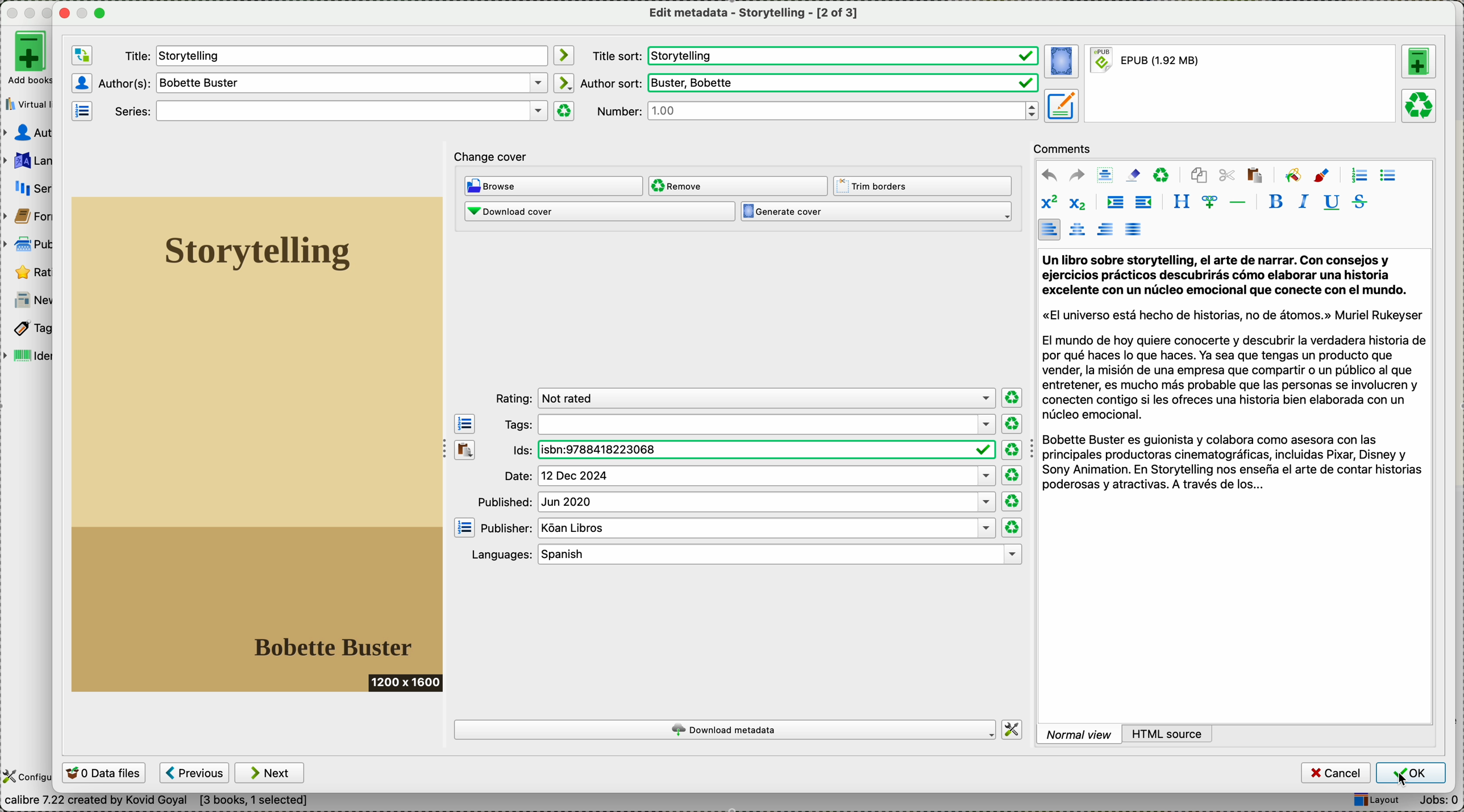 The width and height of the screenshot is (1464, 812). Describe the element at coordinates (1172, 732) in the screenshot. I see `HTML source` at that location.